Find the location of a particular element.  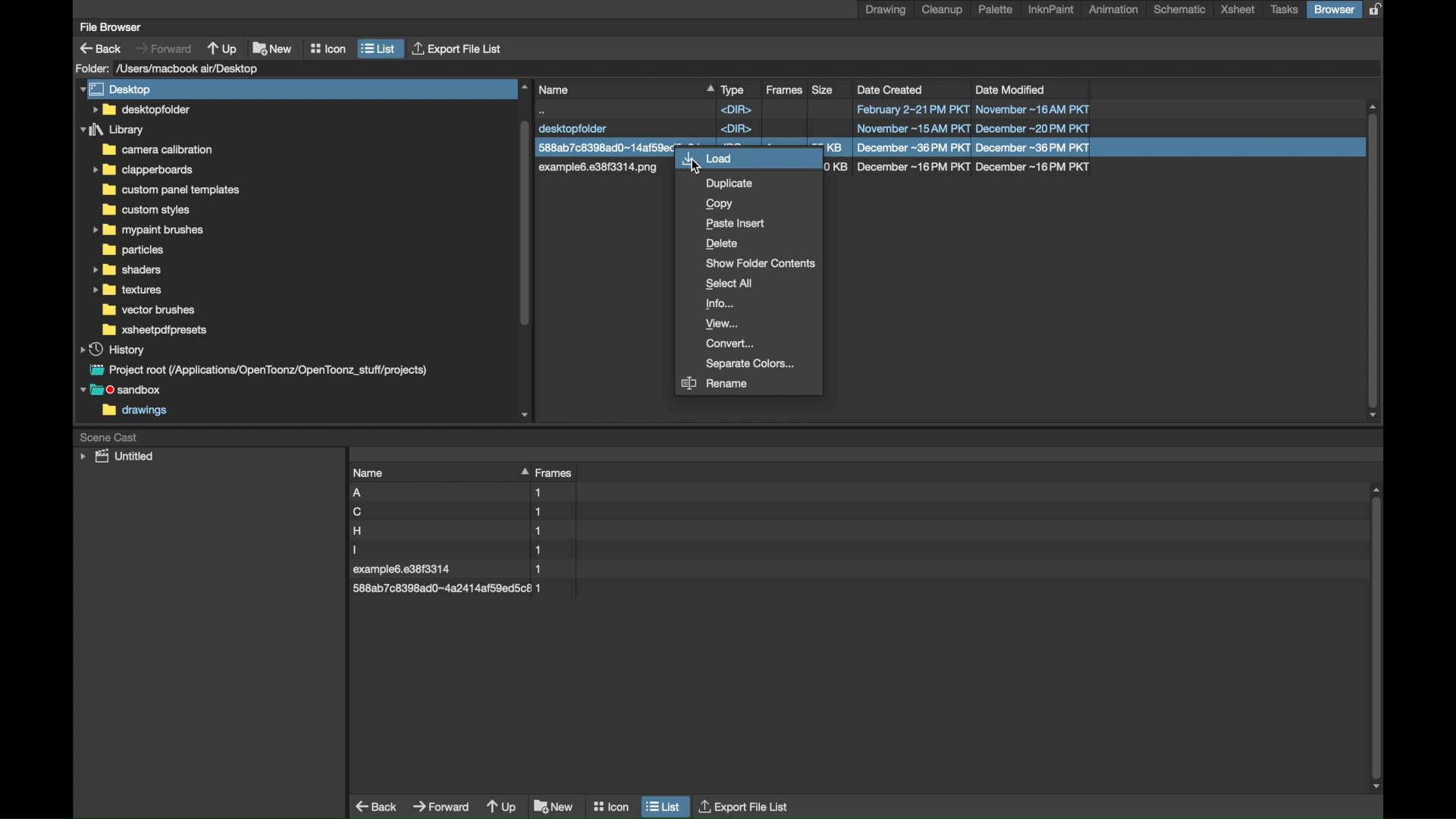

scroll box is located at coordinates (1374, 262).